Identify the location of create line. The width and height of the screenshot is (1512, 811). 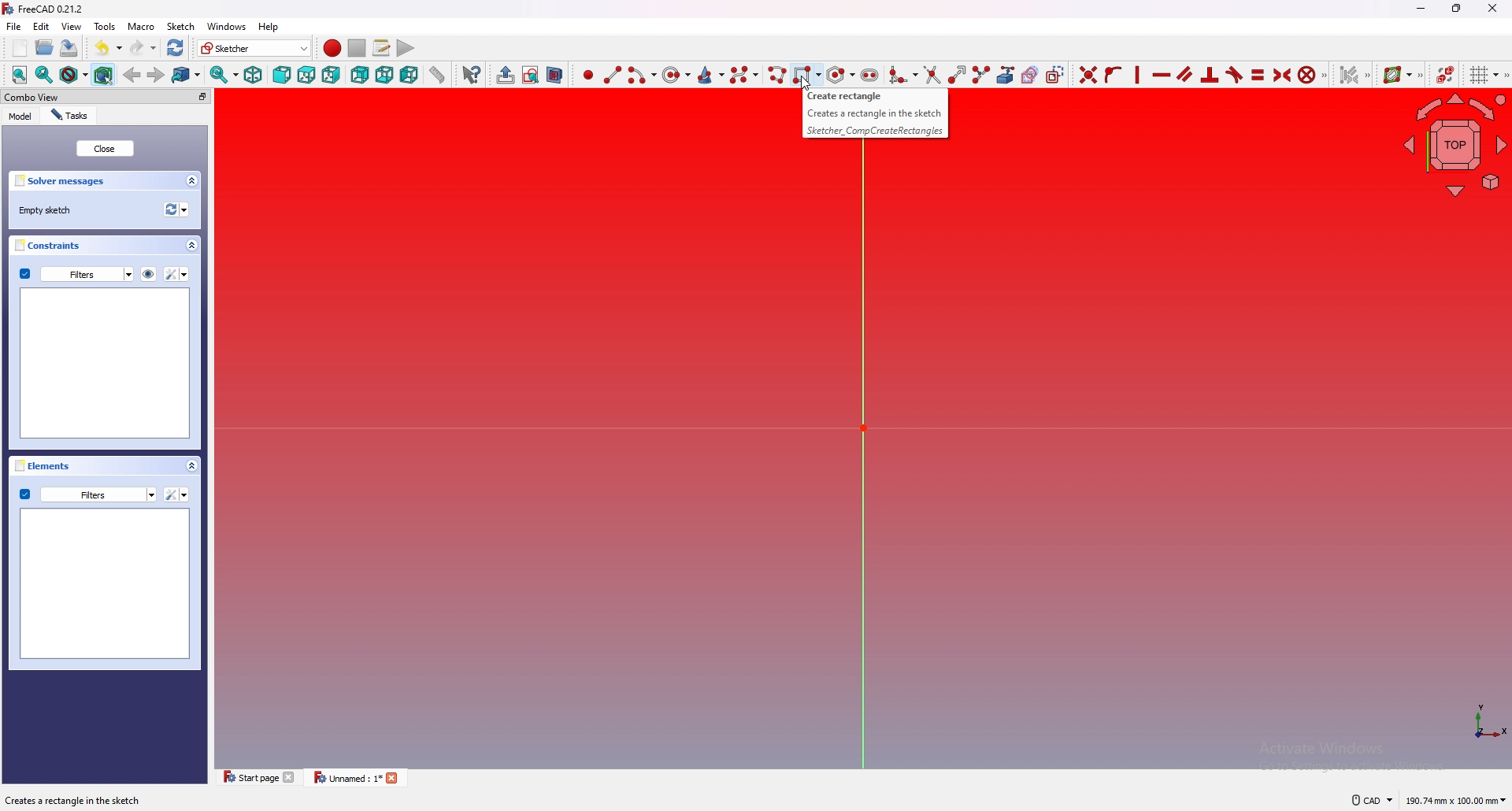
(613, 76).